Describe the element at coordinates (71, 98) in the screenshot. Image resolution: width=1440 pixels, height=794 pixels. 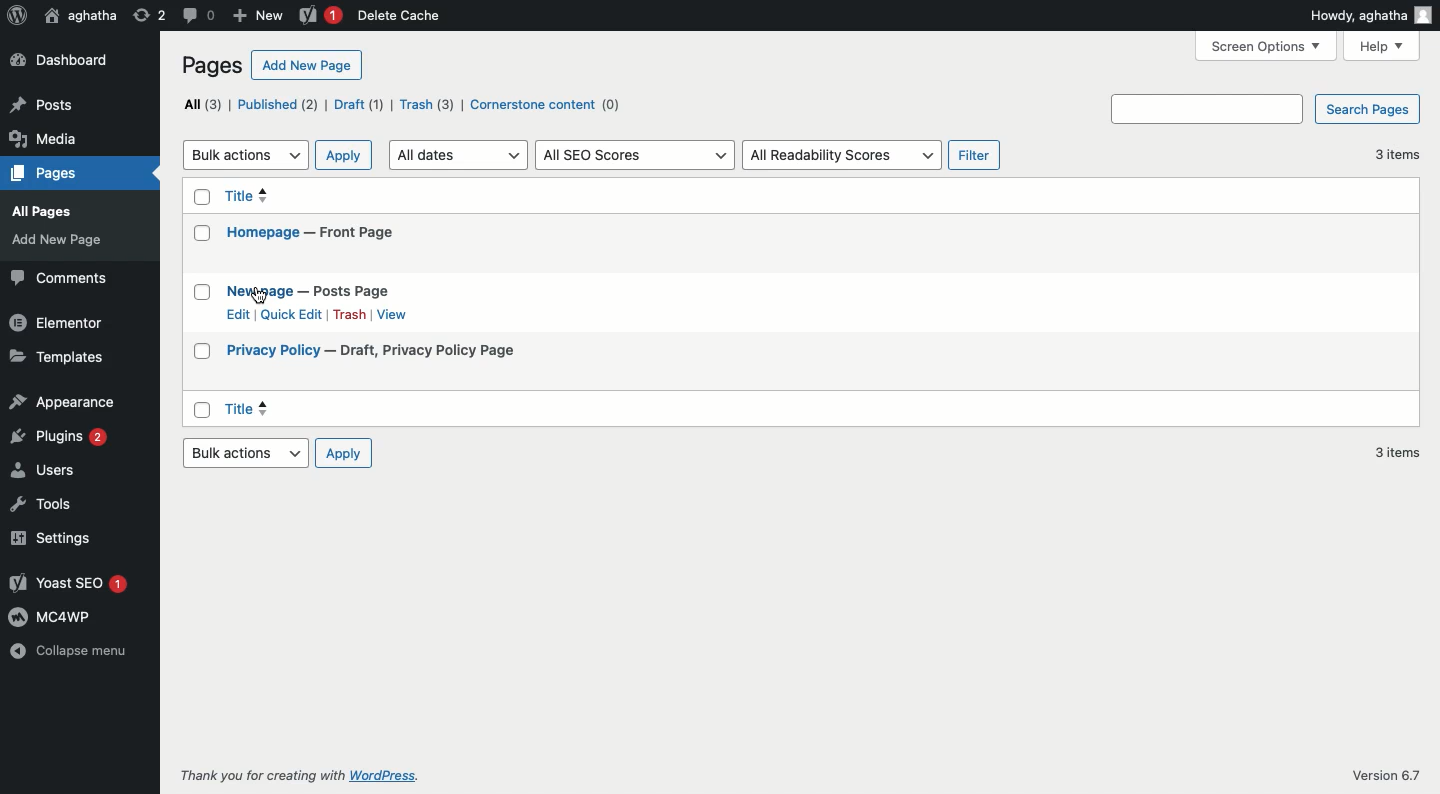
I see `Home` at that location.